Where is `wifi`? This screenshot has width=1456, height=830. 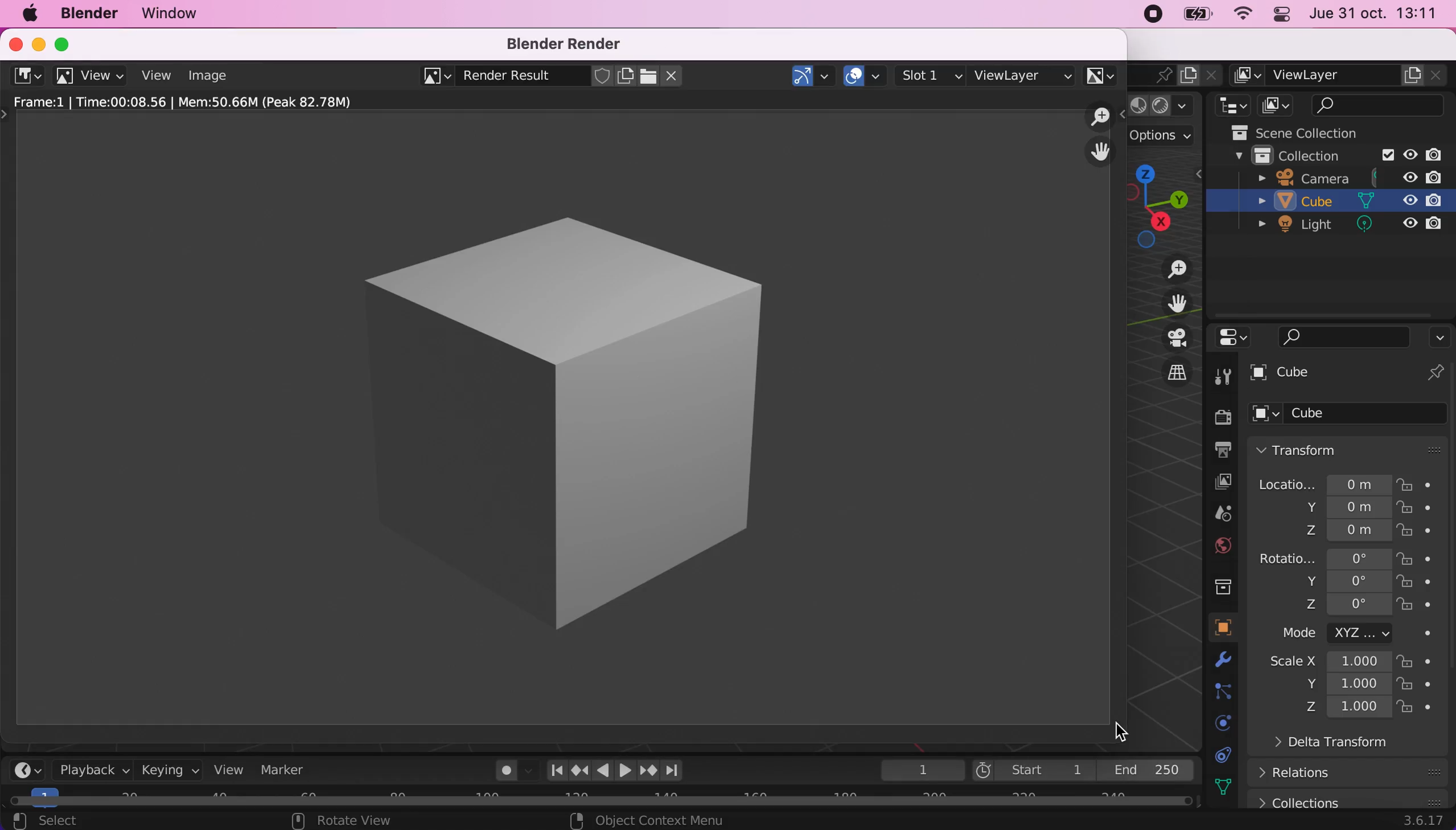
wifi is located at coordinates (1245, 14).